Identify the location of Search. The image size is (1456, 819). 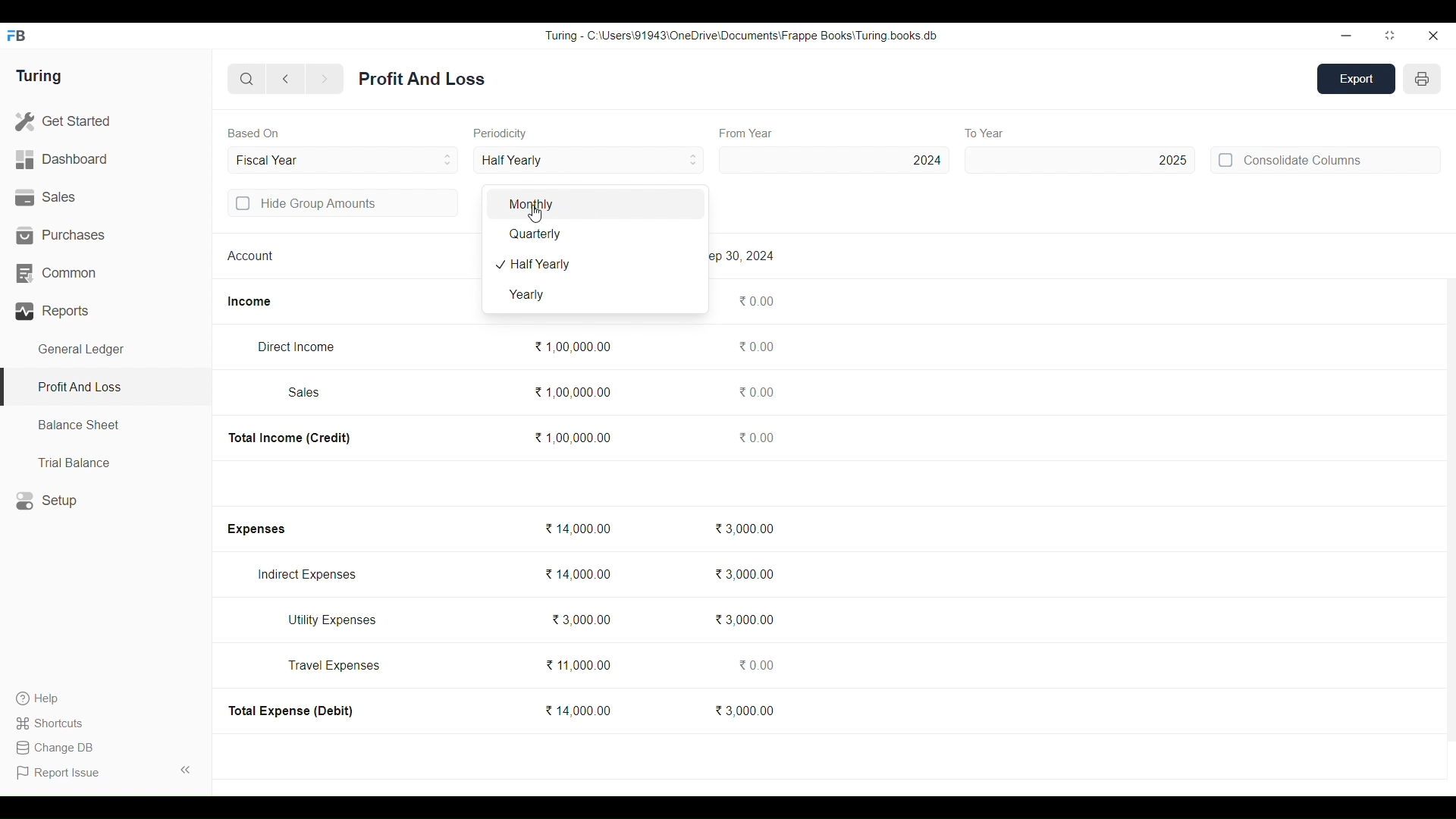
(247, 79).